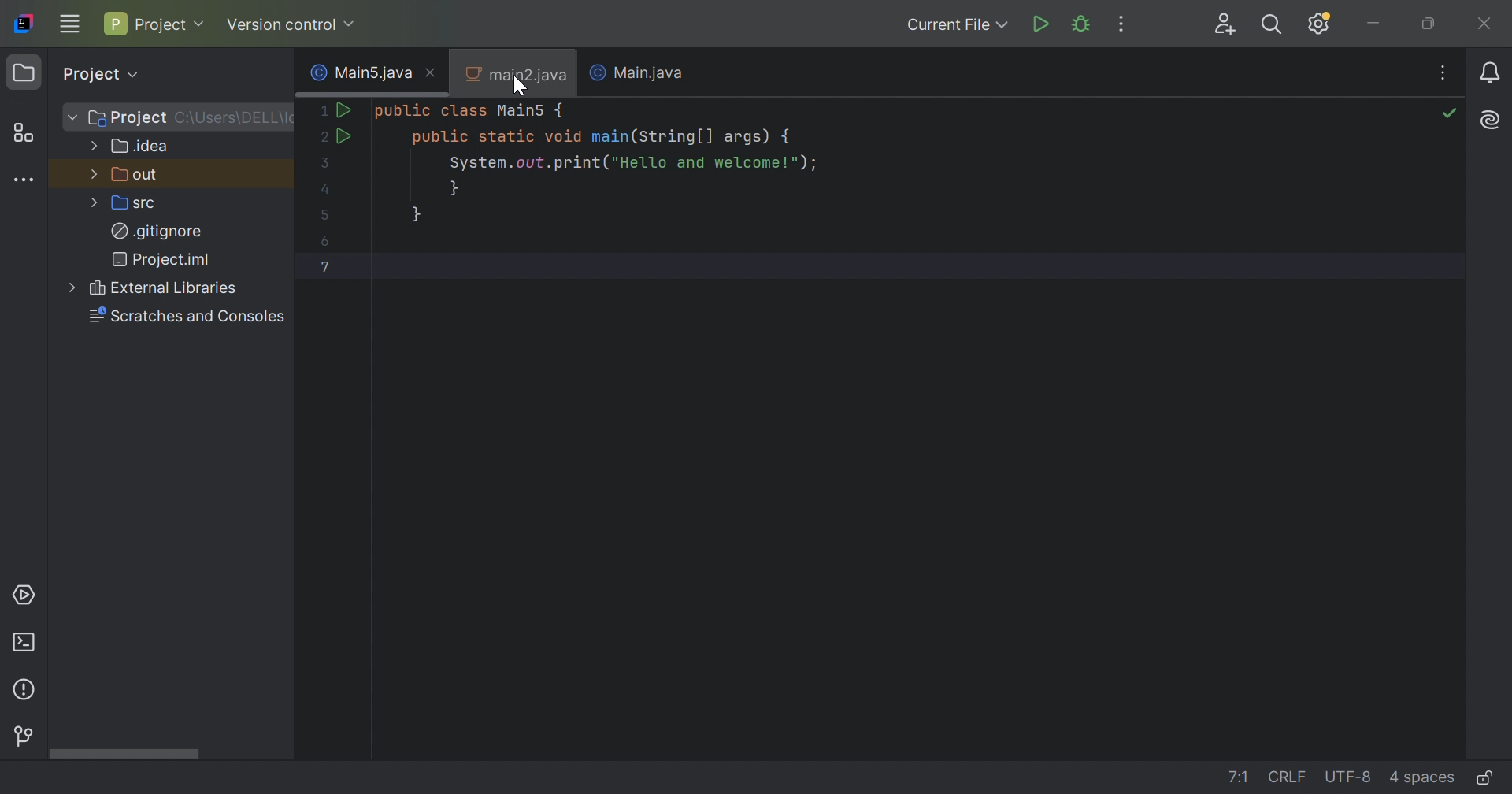  I want to click on Project, so click(128, 118).